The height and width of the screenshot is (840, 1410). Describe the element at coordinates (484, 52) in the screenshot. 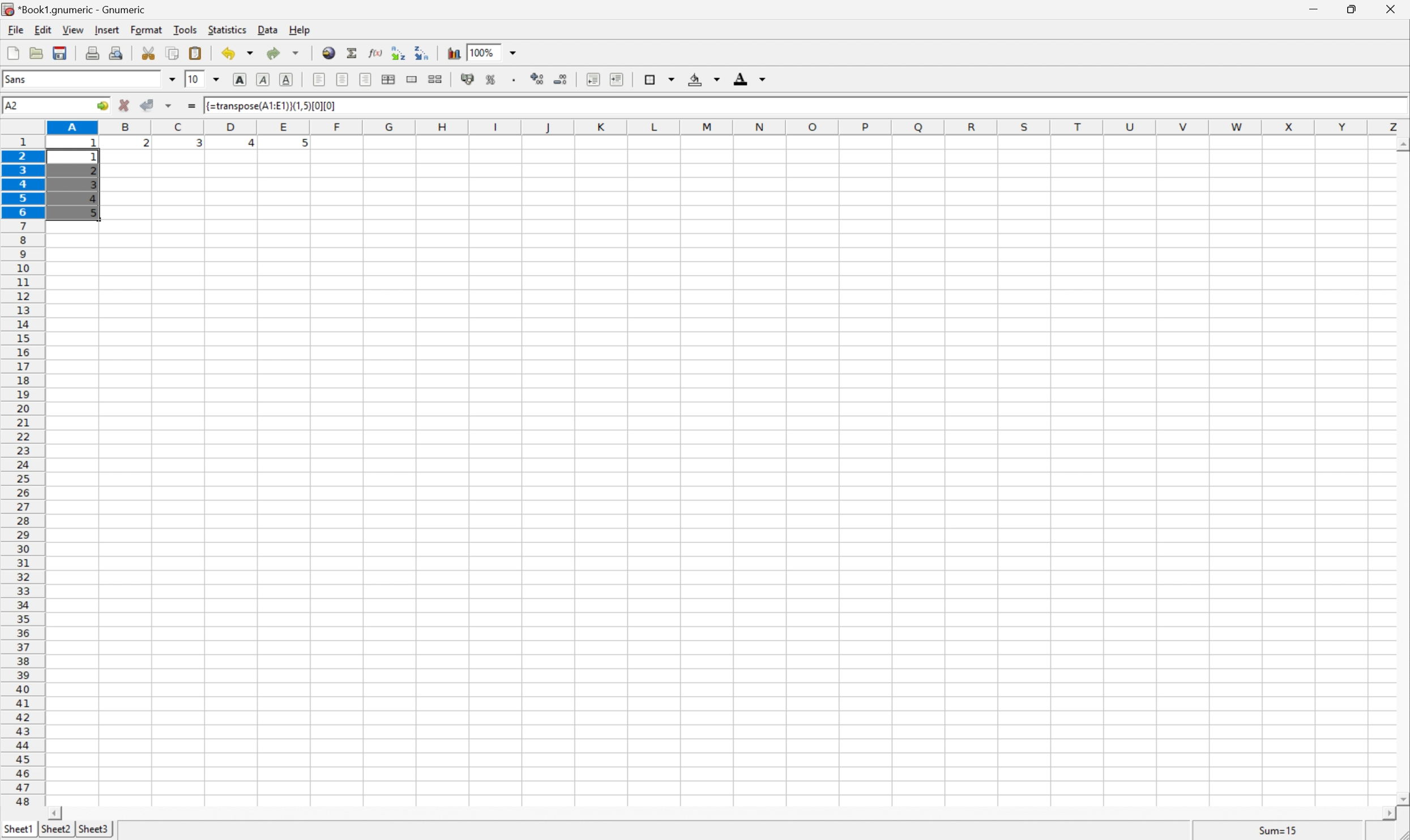

I see `100%` at that location.